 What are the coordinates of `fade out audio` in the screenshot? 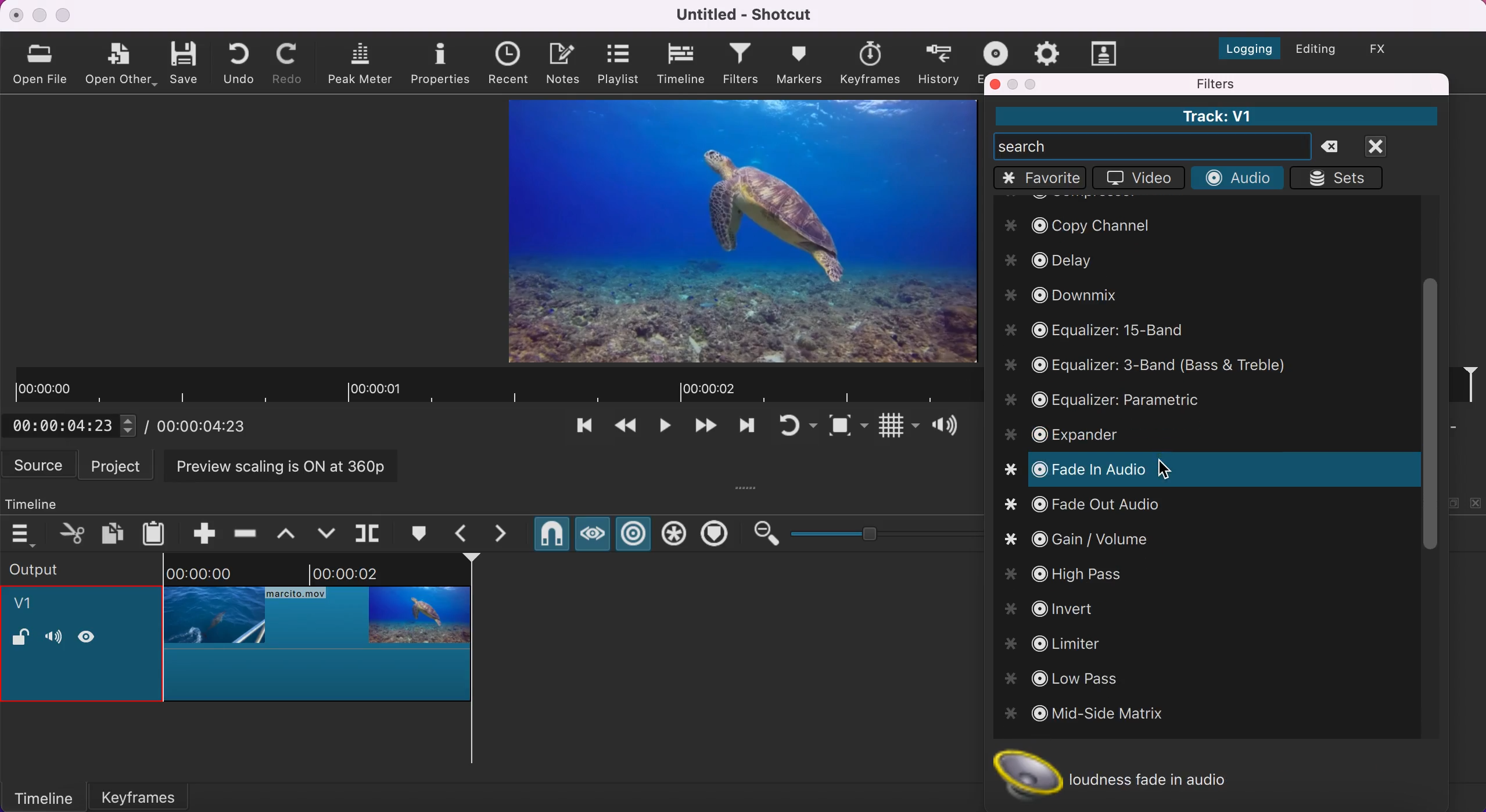 It's located at (1095, 505).